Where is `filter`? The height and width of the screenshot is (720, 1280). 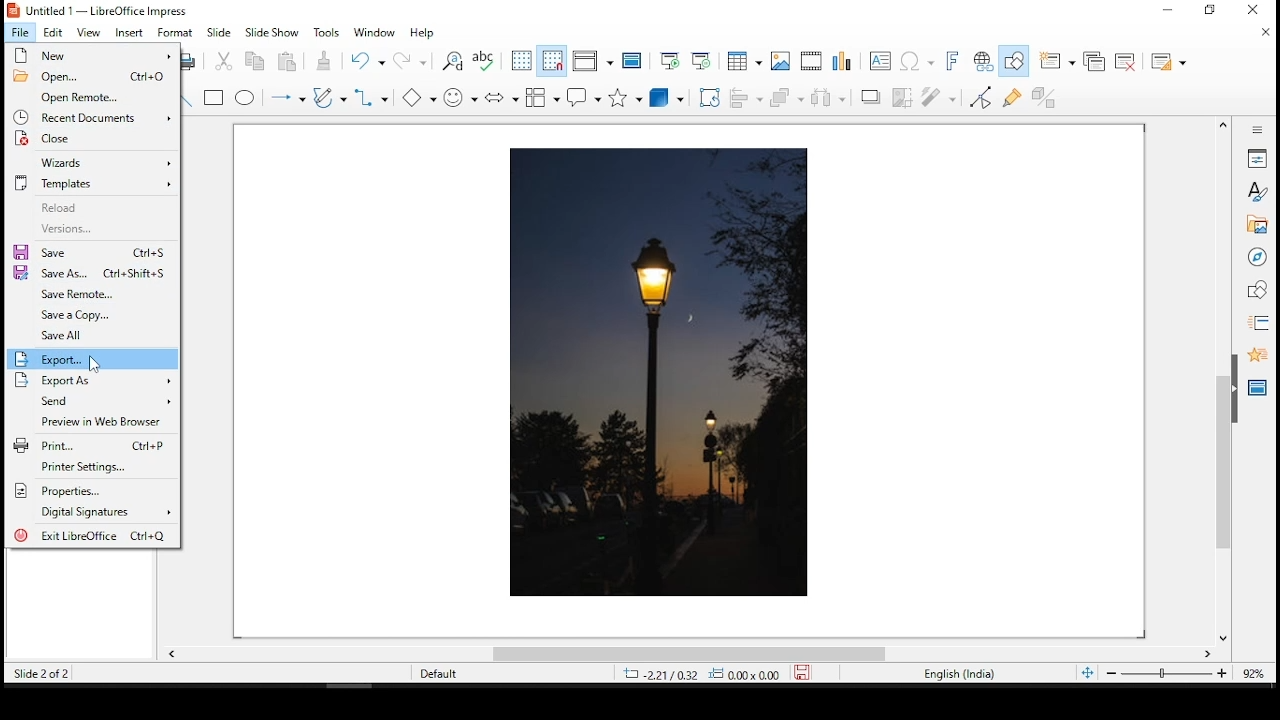 filter is located at coordinates (937, 98).